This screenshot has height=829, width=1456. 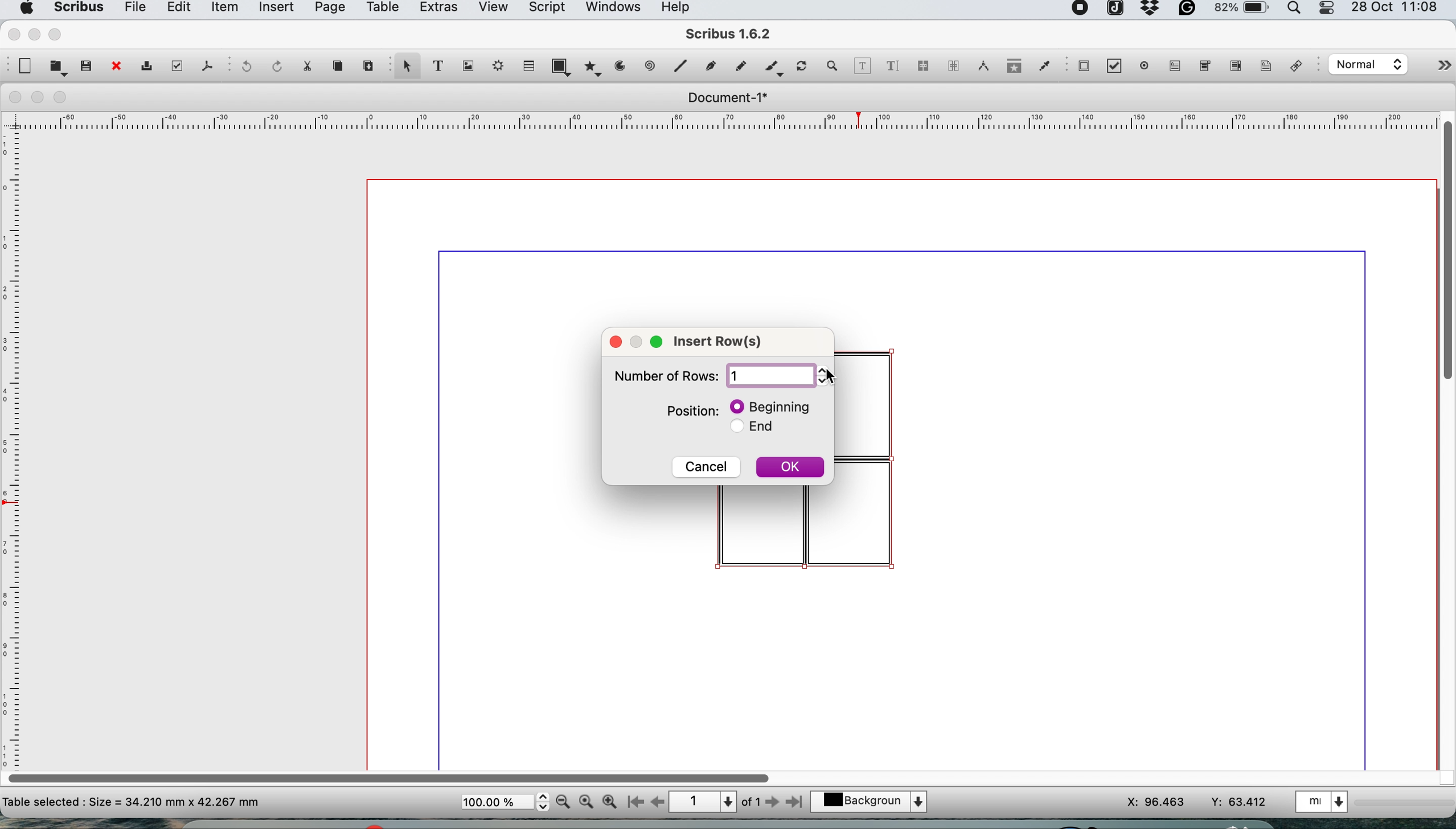 What do you see at coordinates (437, 68) in the screenshot?
I see `text frame` at bounding box center [437, 68].